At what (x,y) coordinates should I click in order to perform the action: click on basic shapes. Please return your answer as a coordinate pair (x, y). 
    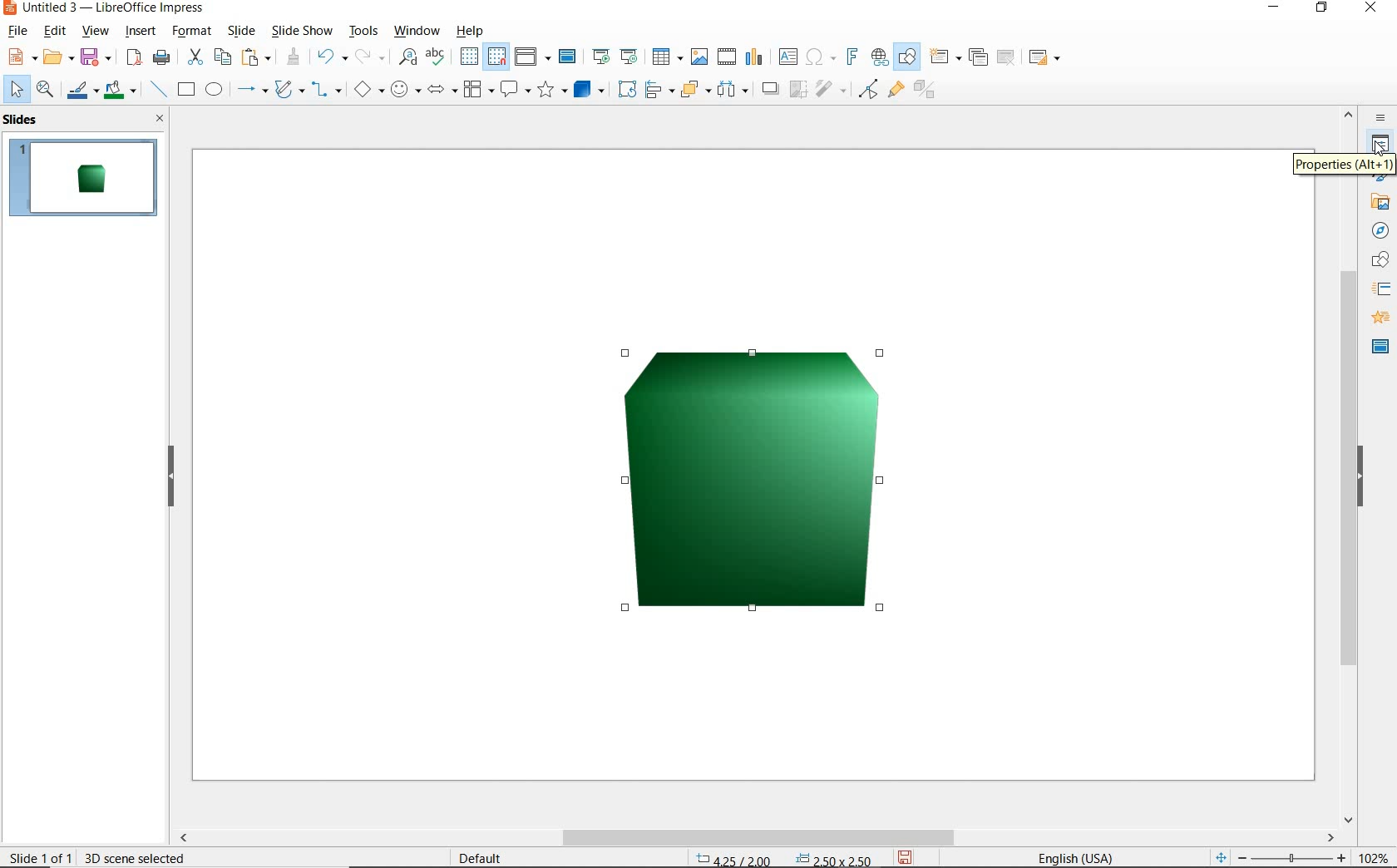
    Looking at the image, I should click on (371, 88).